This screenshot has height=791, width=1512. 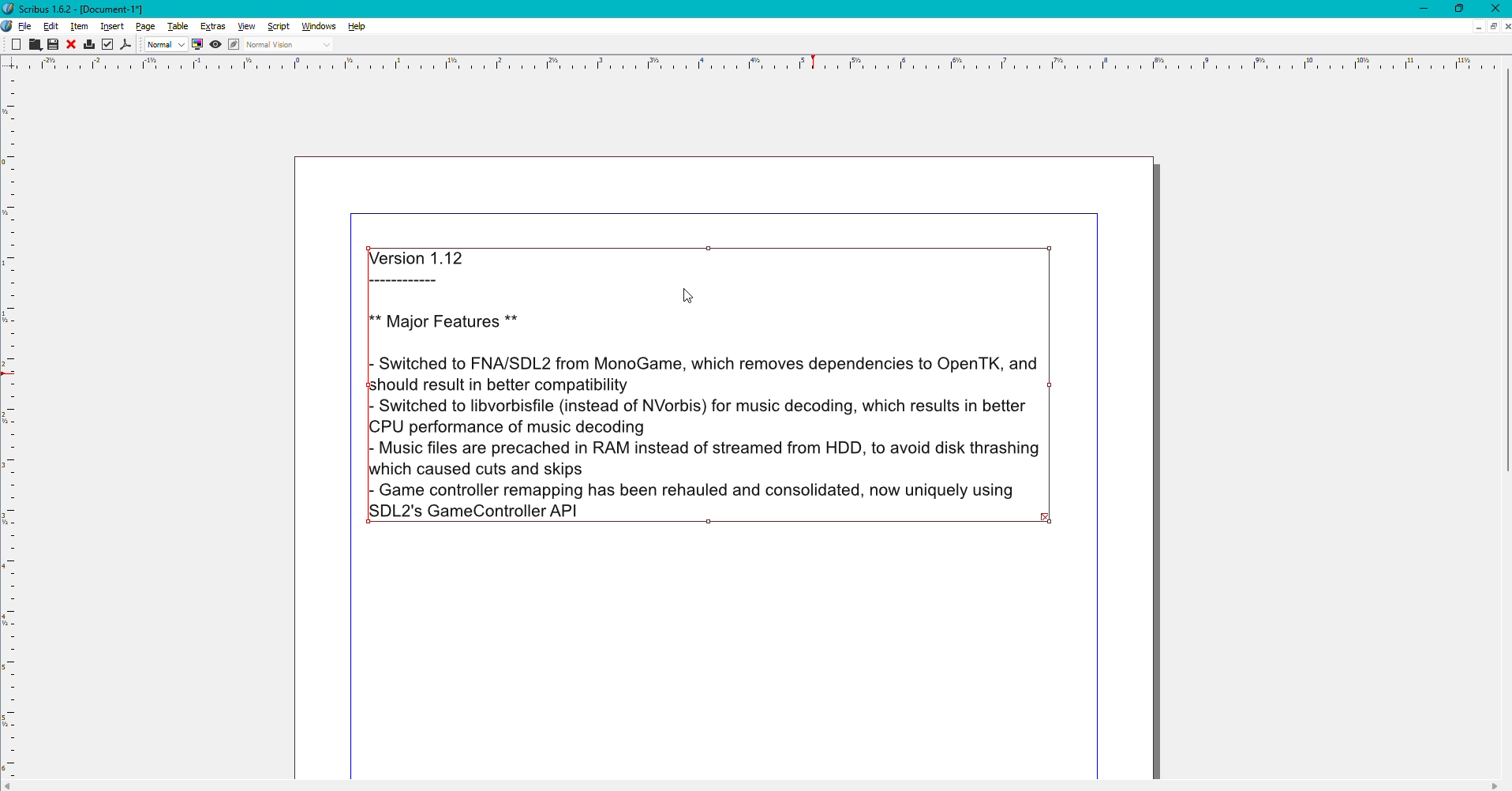 What do you see at coordinates (196, 45) in the screenshot?
I see `Display` at bounding box center [196, 45].